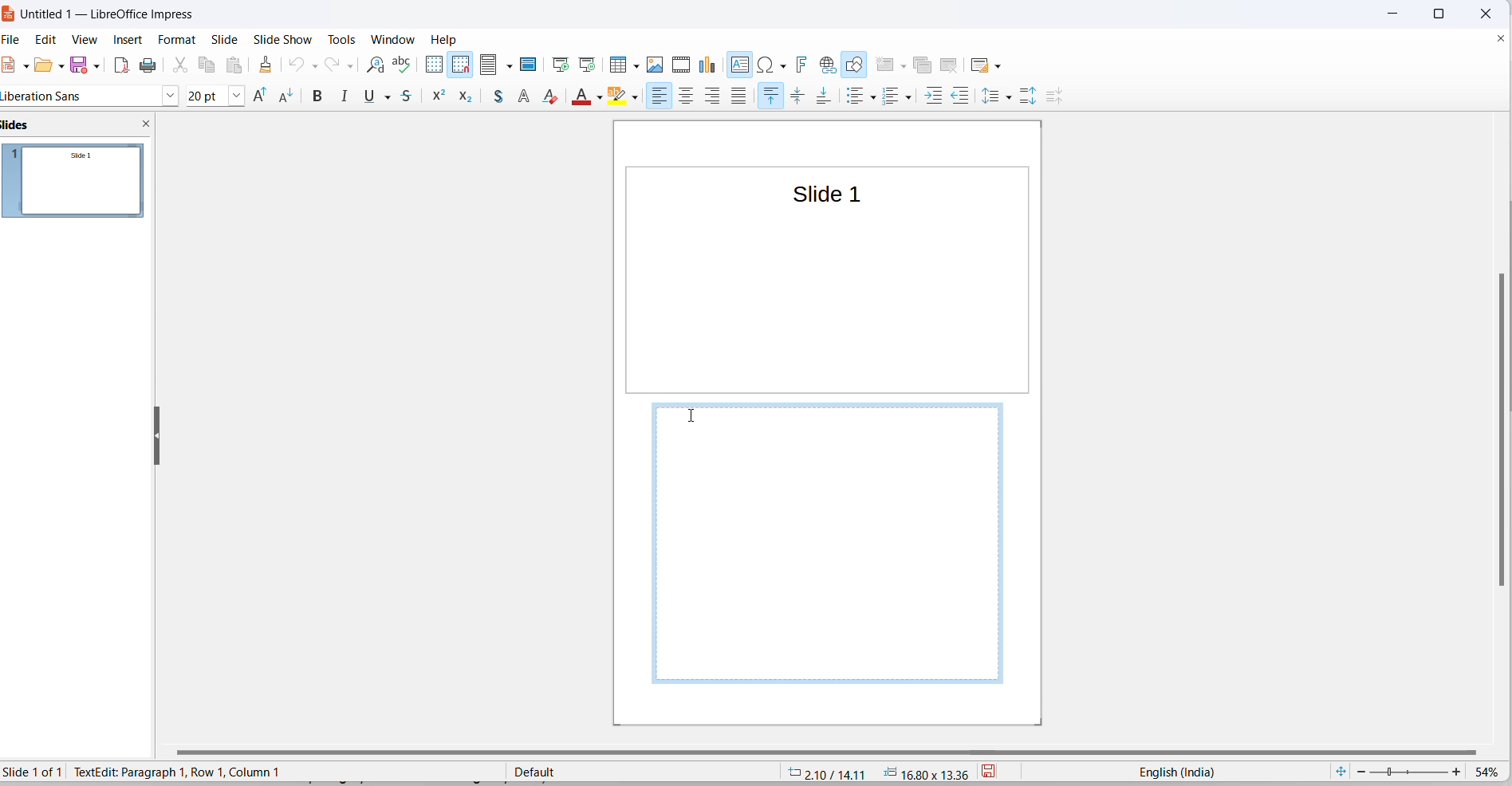 The image size is (1512, 786). Describe the element at coordinates (884, 64) in the screenshot. I see `new slide` at that location.